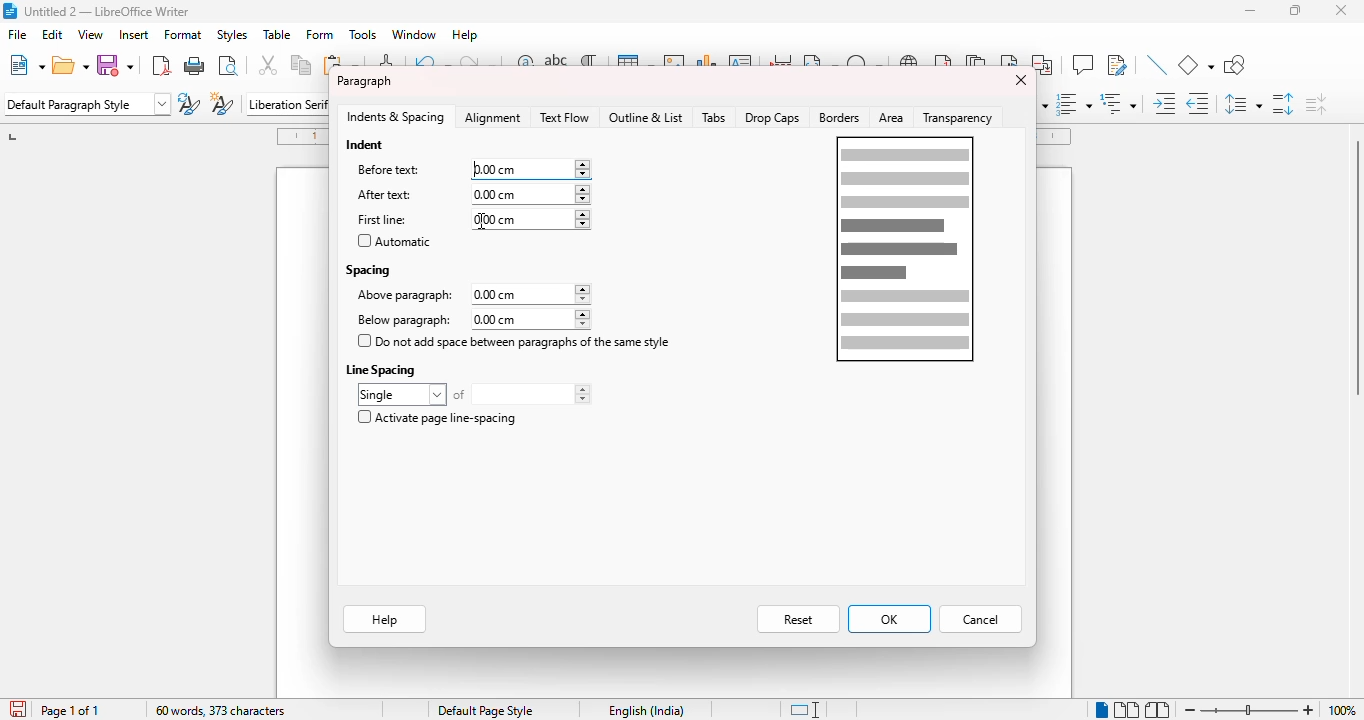 The width and height of the screenshot is (1364, 720). Describe the element at coordinates (564, 117) in the screenshot. I see `text flow` at that location.